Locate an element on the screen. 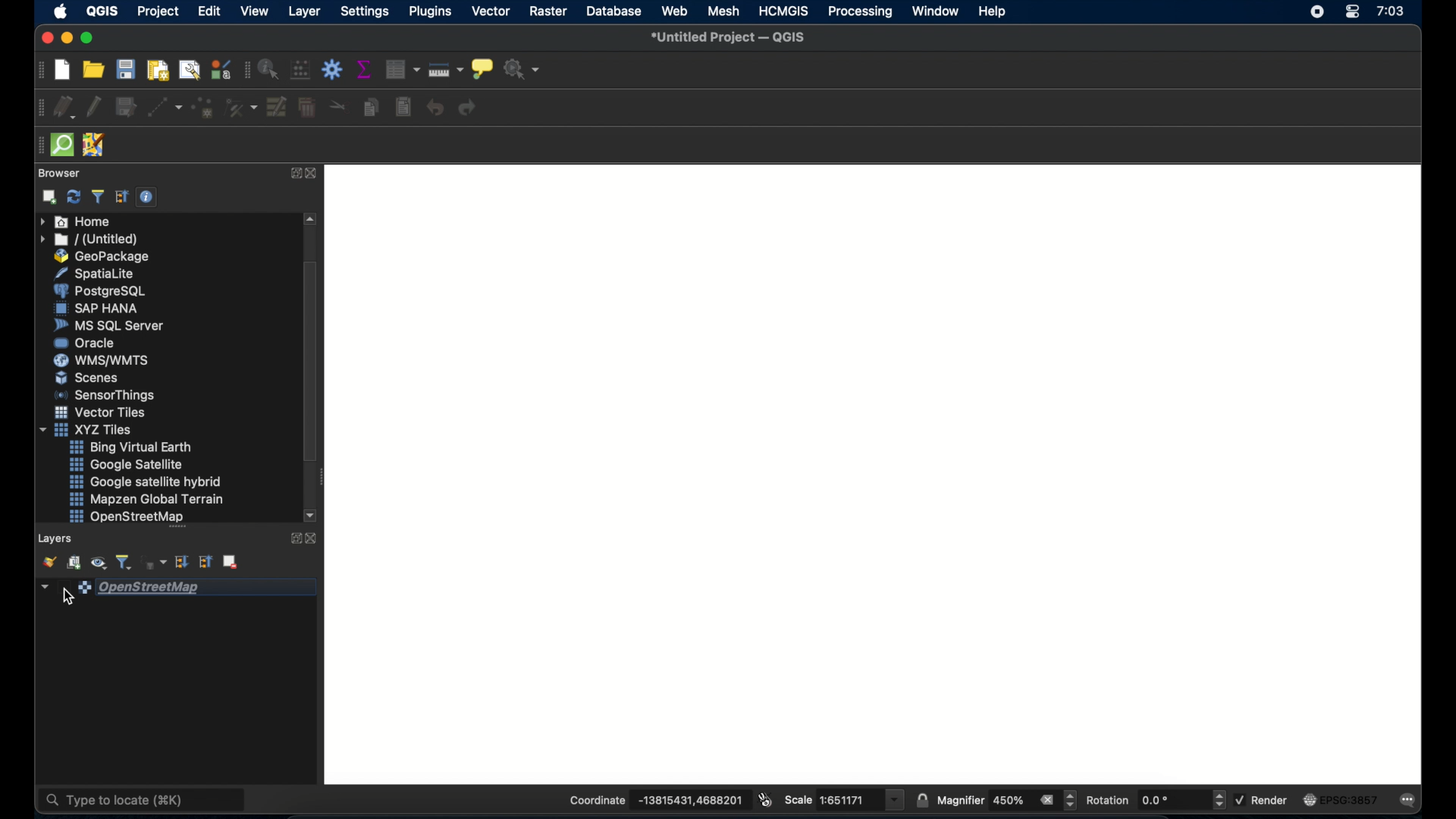 Image resolution: width=1456 pixels, height=819 pixels. untitled is located at coordinates (92, 238).